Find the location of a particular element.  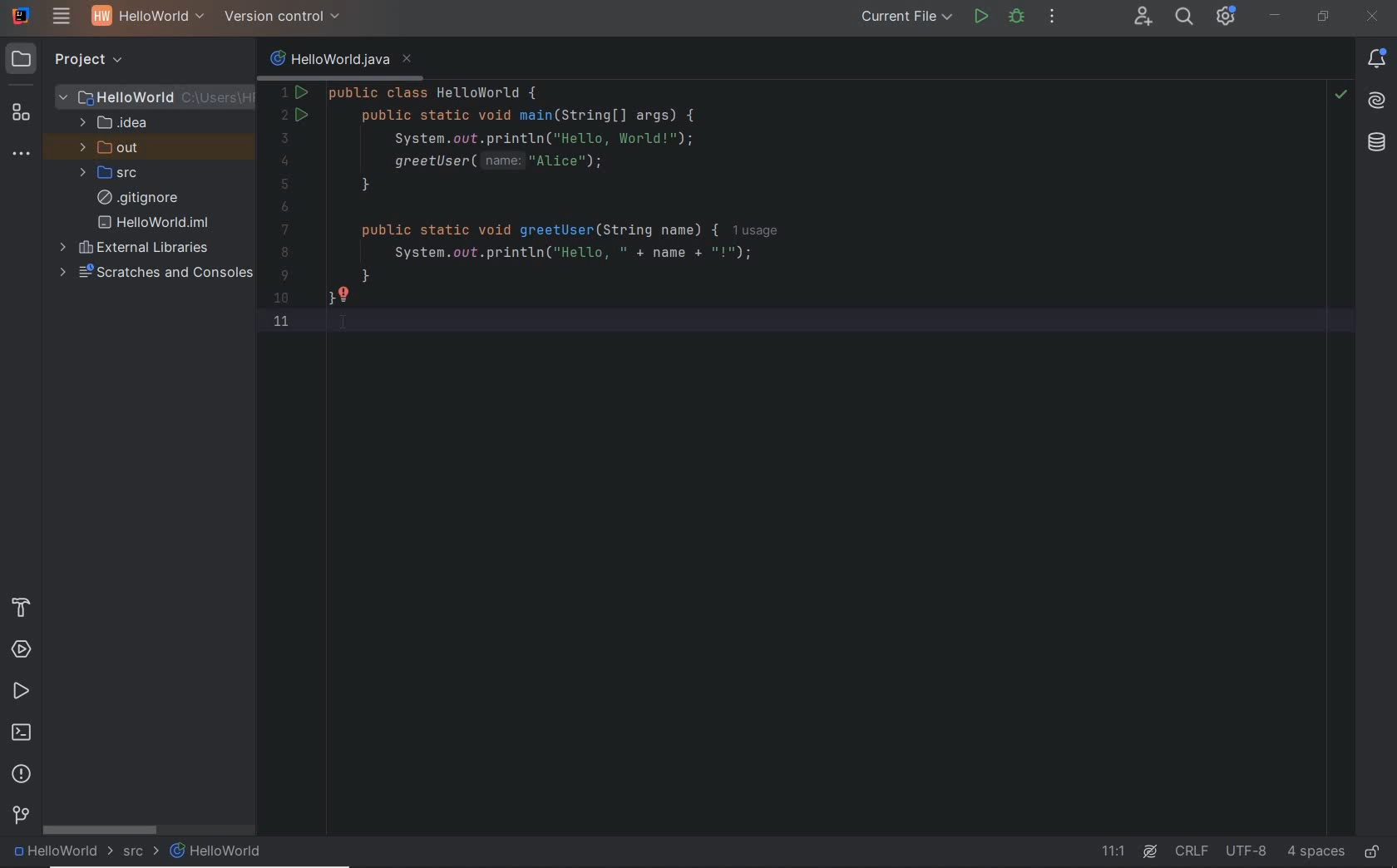

external libraries is located at coordinates (136, 249).